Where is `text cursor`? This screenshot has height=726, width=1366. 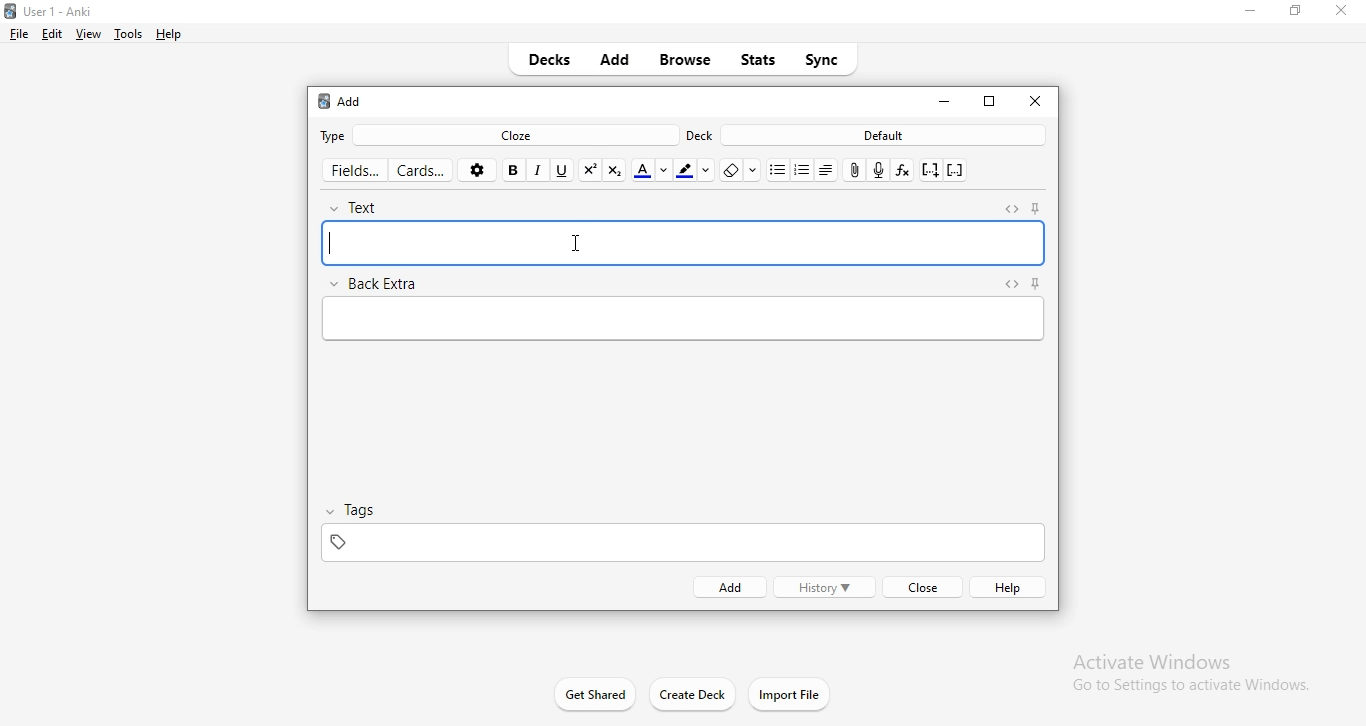
text cursor is located at coordinates (328, 244).